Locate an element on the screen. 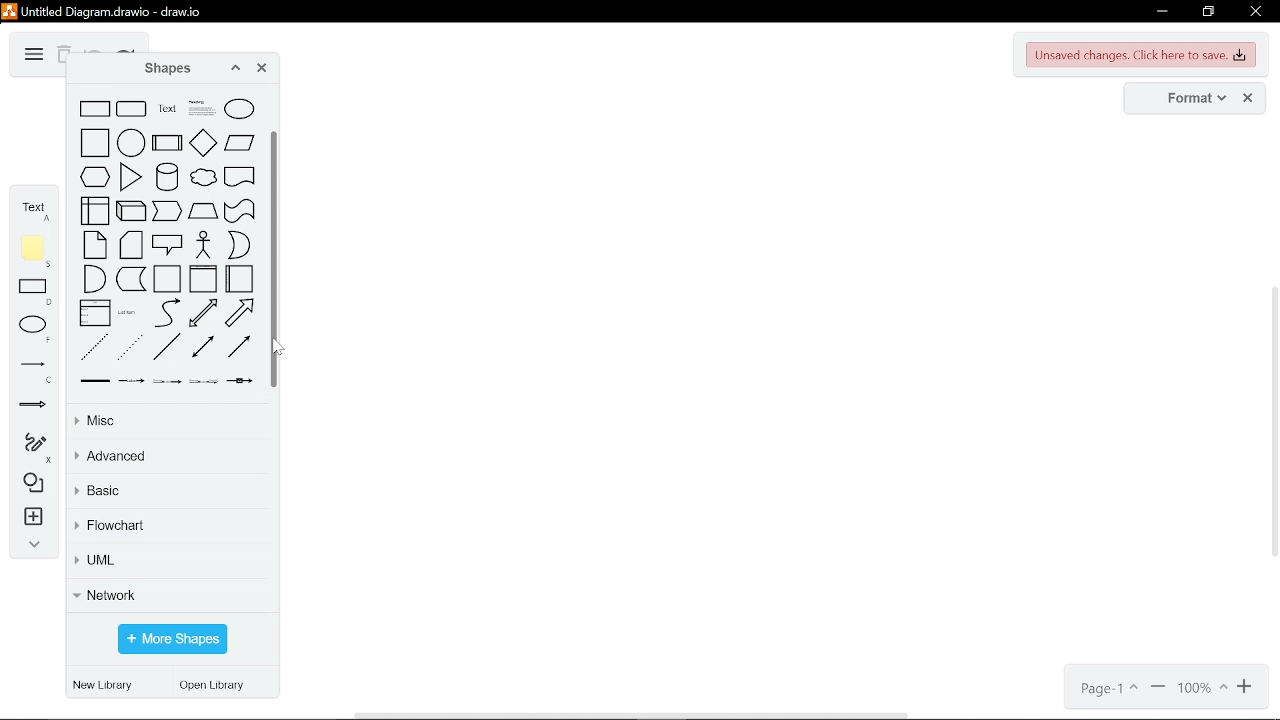 The image size is (1280, 720). list item is located at coordinates (127, 313).